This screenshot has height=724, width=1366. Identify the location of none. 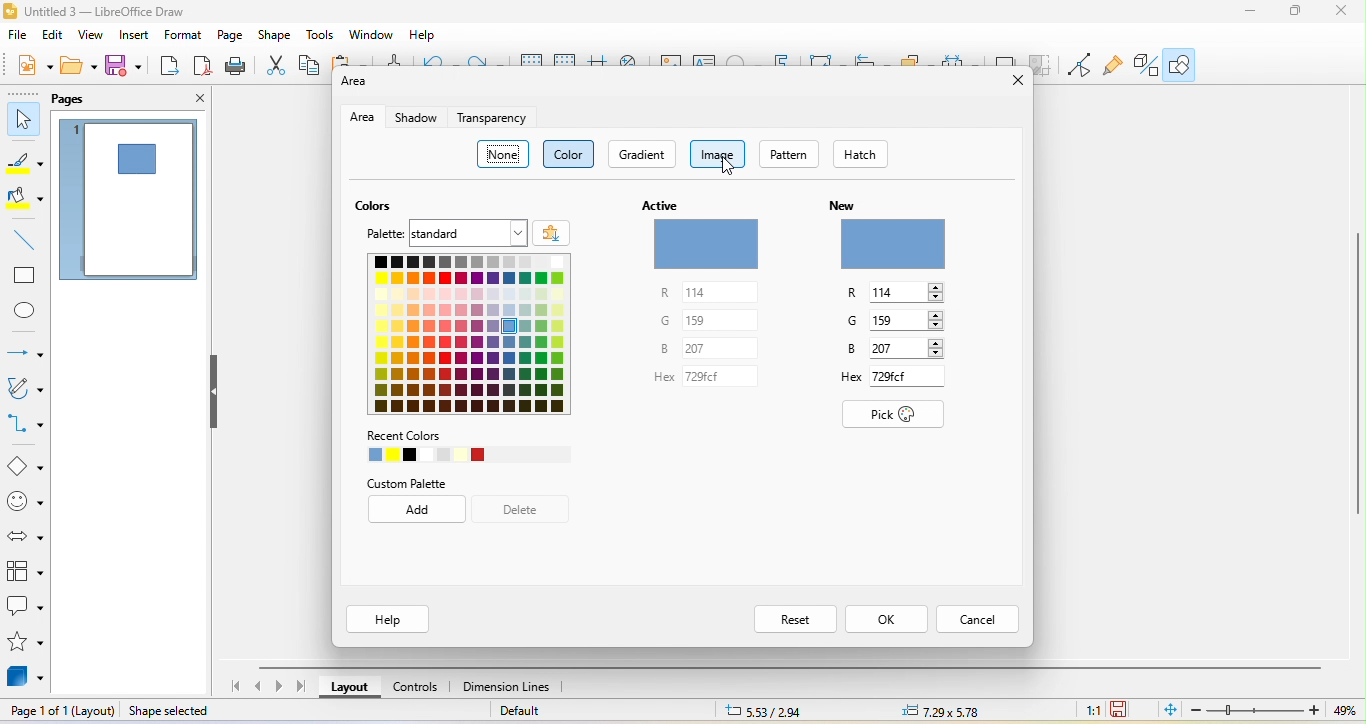
(502, 154).